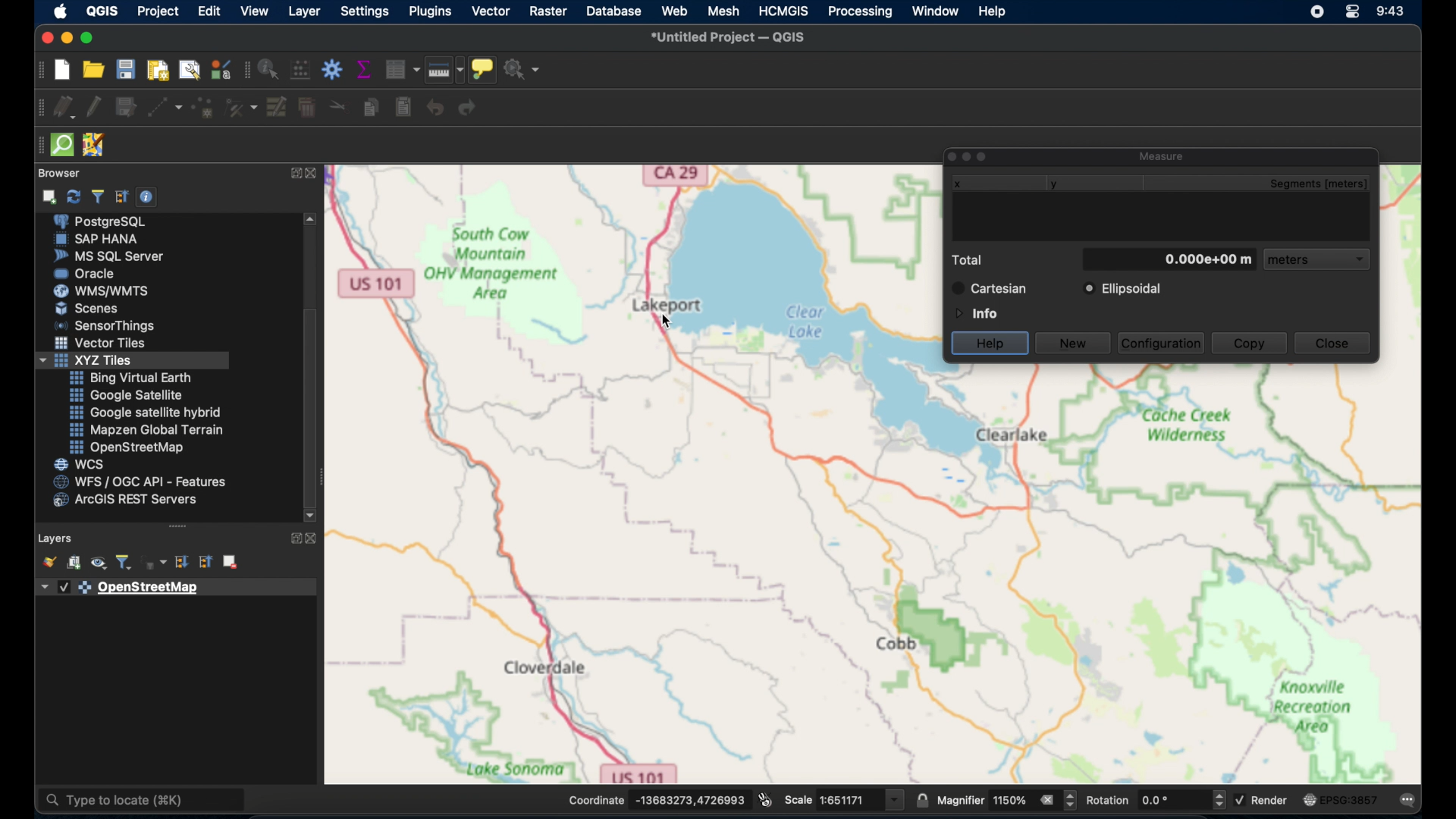  I want to click on raster, so click(548, 11).